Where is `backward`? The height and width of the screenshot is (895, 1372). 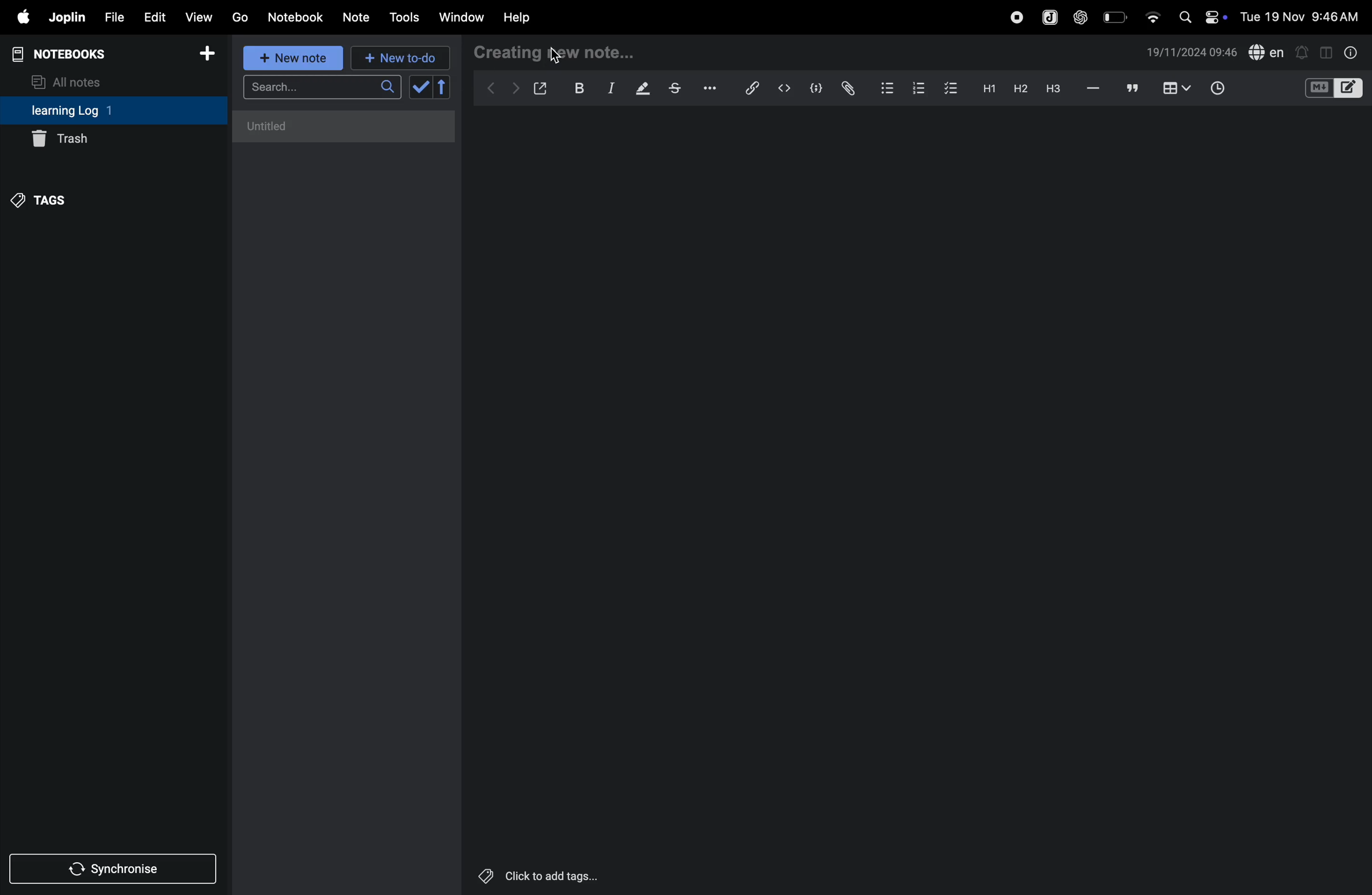
backward is located at coordinates (492, 87).